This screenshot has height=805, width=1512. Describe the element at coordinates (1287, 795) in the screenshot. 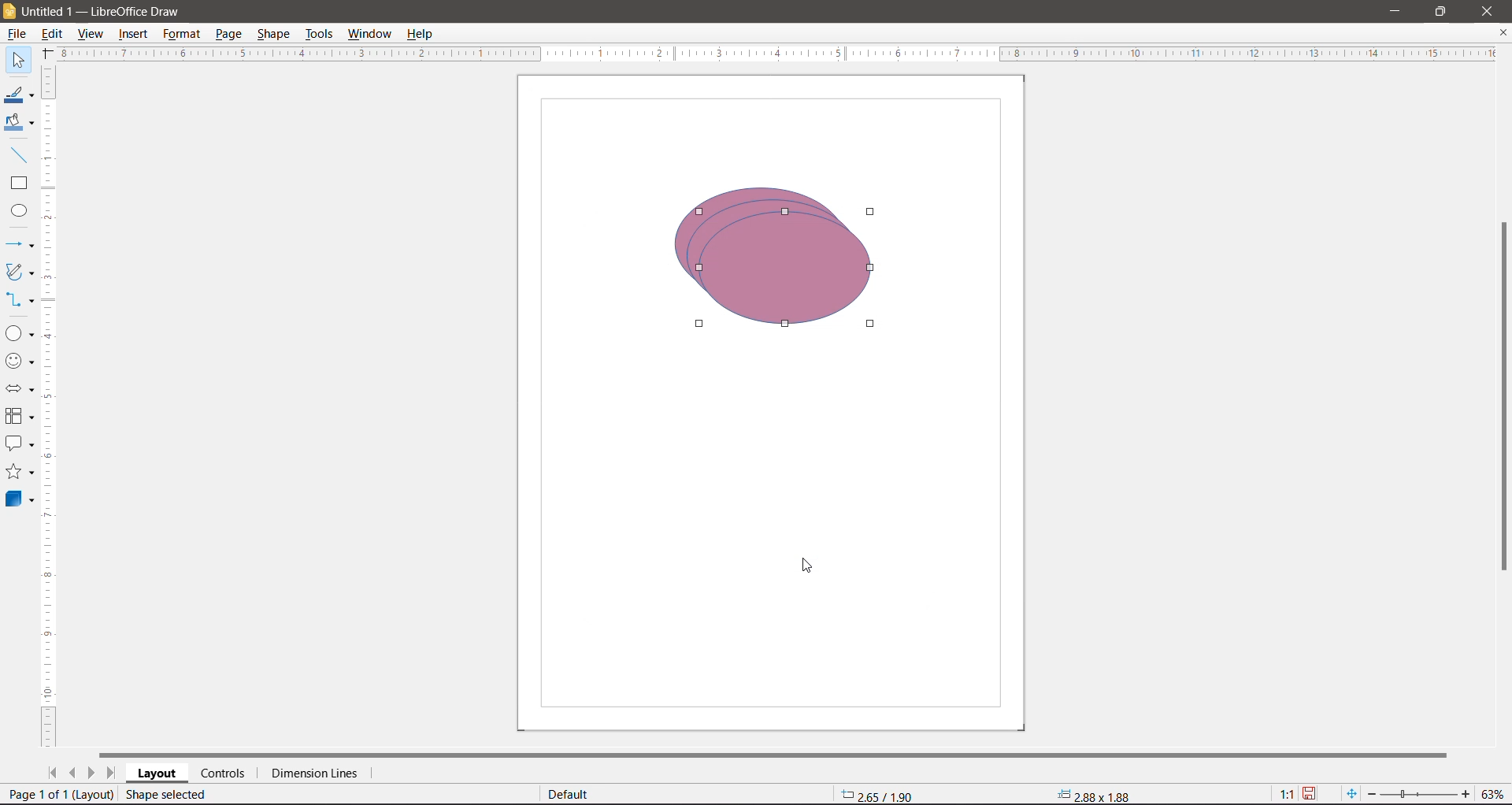

I see `Scaling factor of the document` at that location.